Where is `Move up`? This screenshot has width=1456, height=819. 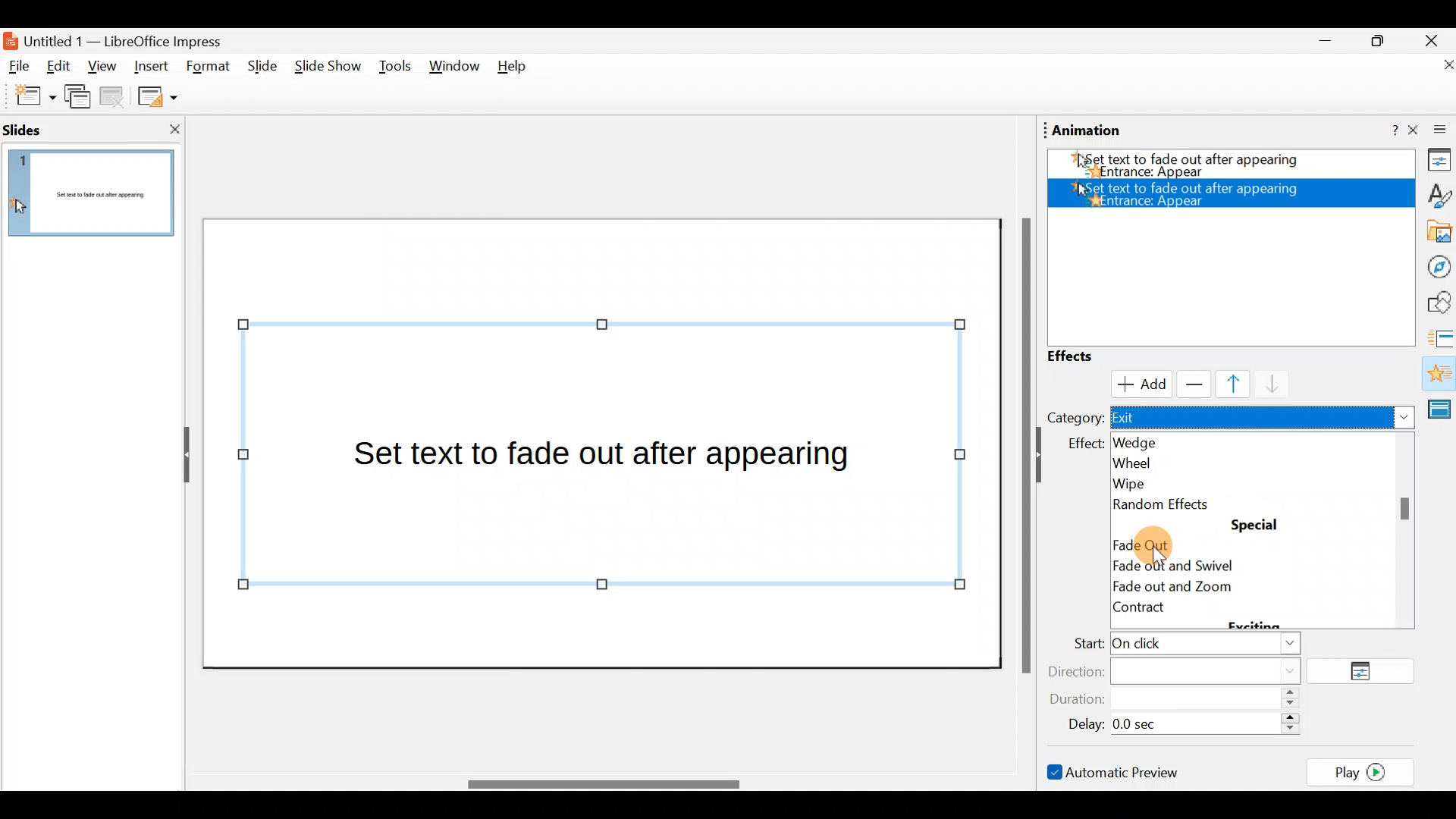 Move up is located at coordinates (1224, 384).